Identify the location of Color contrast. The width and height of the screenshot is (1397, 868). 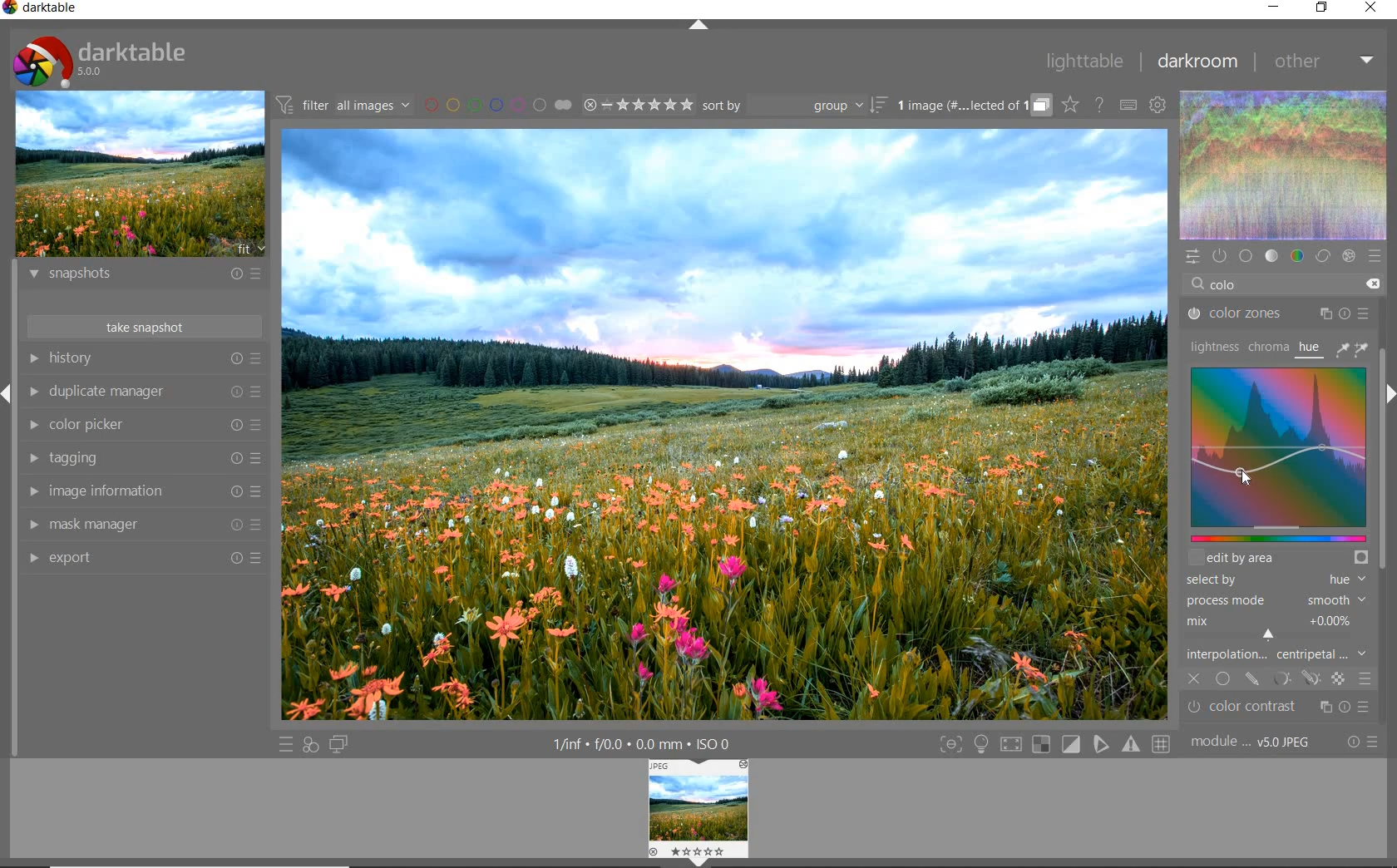
(1287, 708).